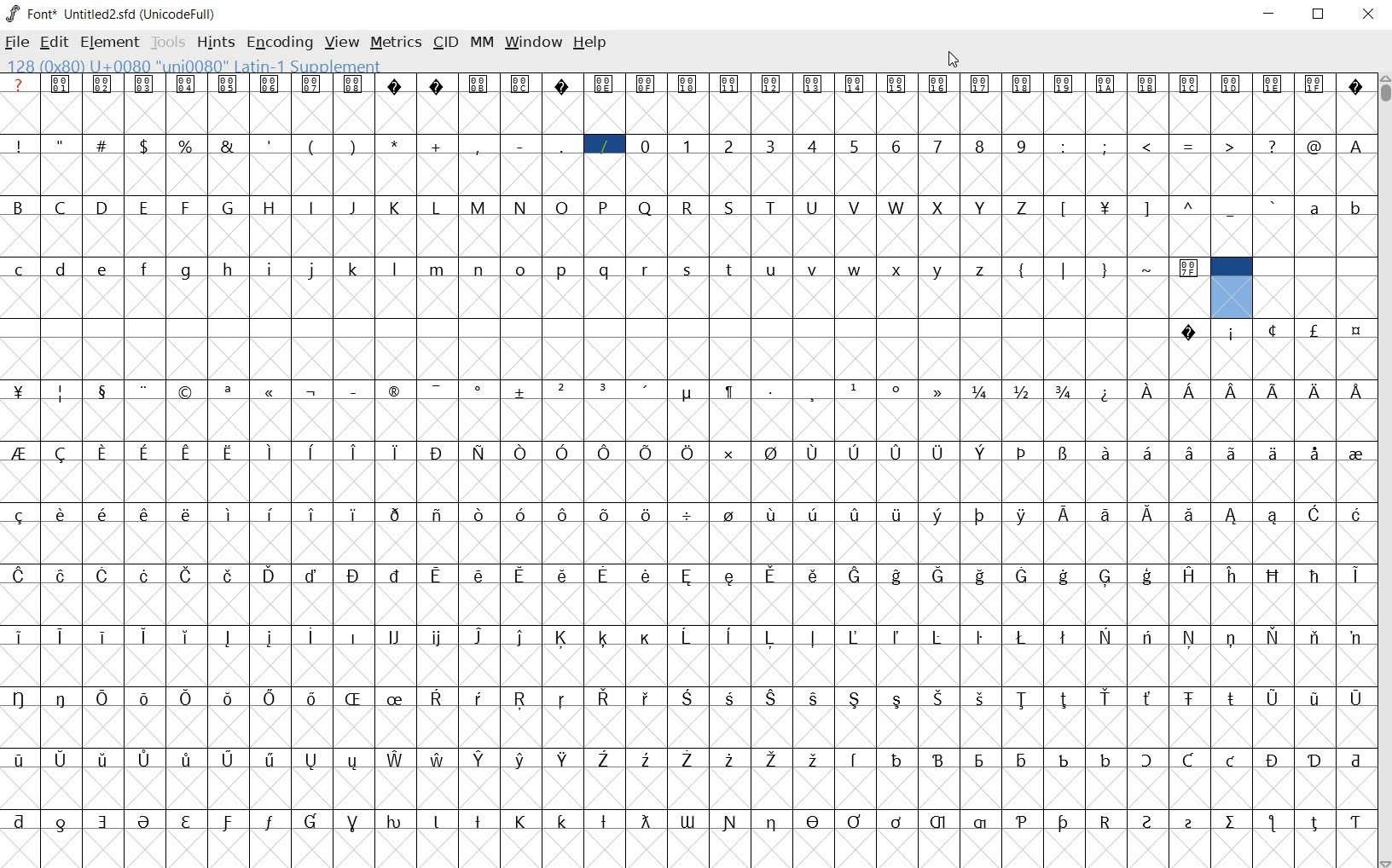  I want to click on Symbol, so click(856, 757).